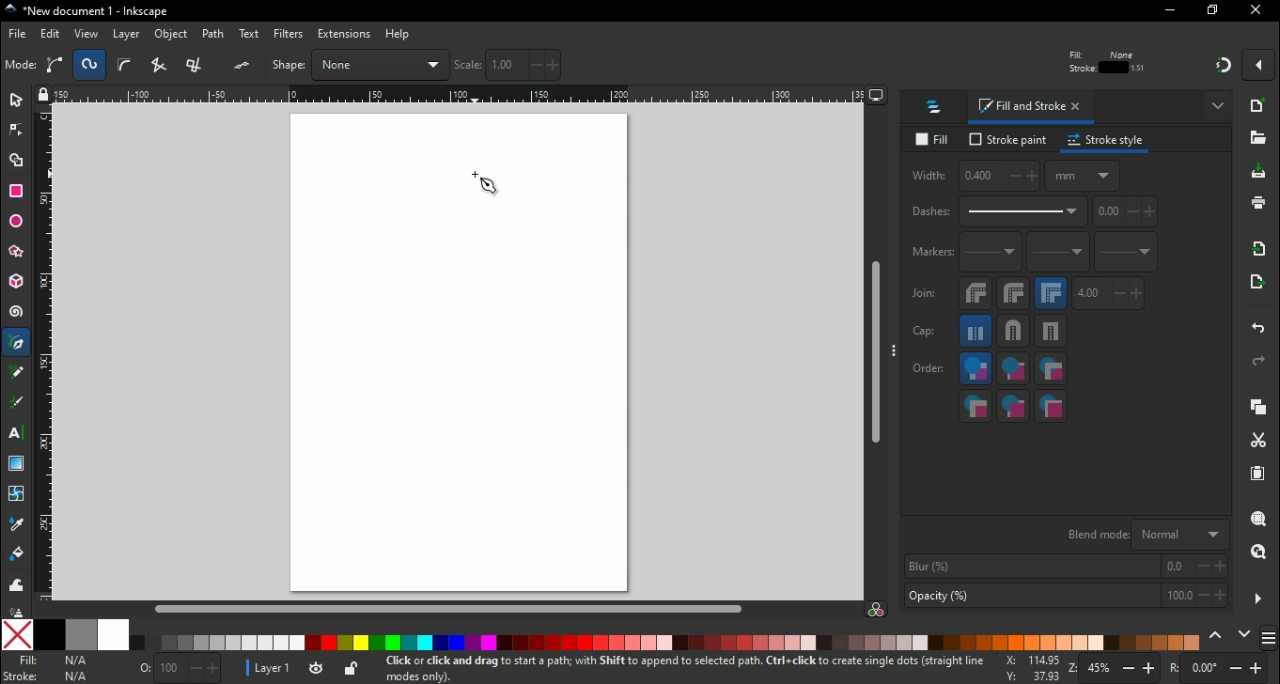 Image resolution: width=1280 pixels, height=684 pixels. I want to click on max length of miter, so click(1110, 298).